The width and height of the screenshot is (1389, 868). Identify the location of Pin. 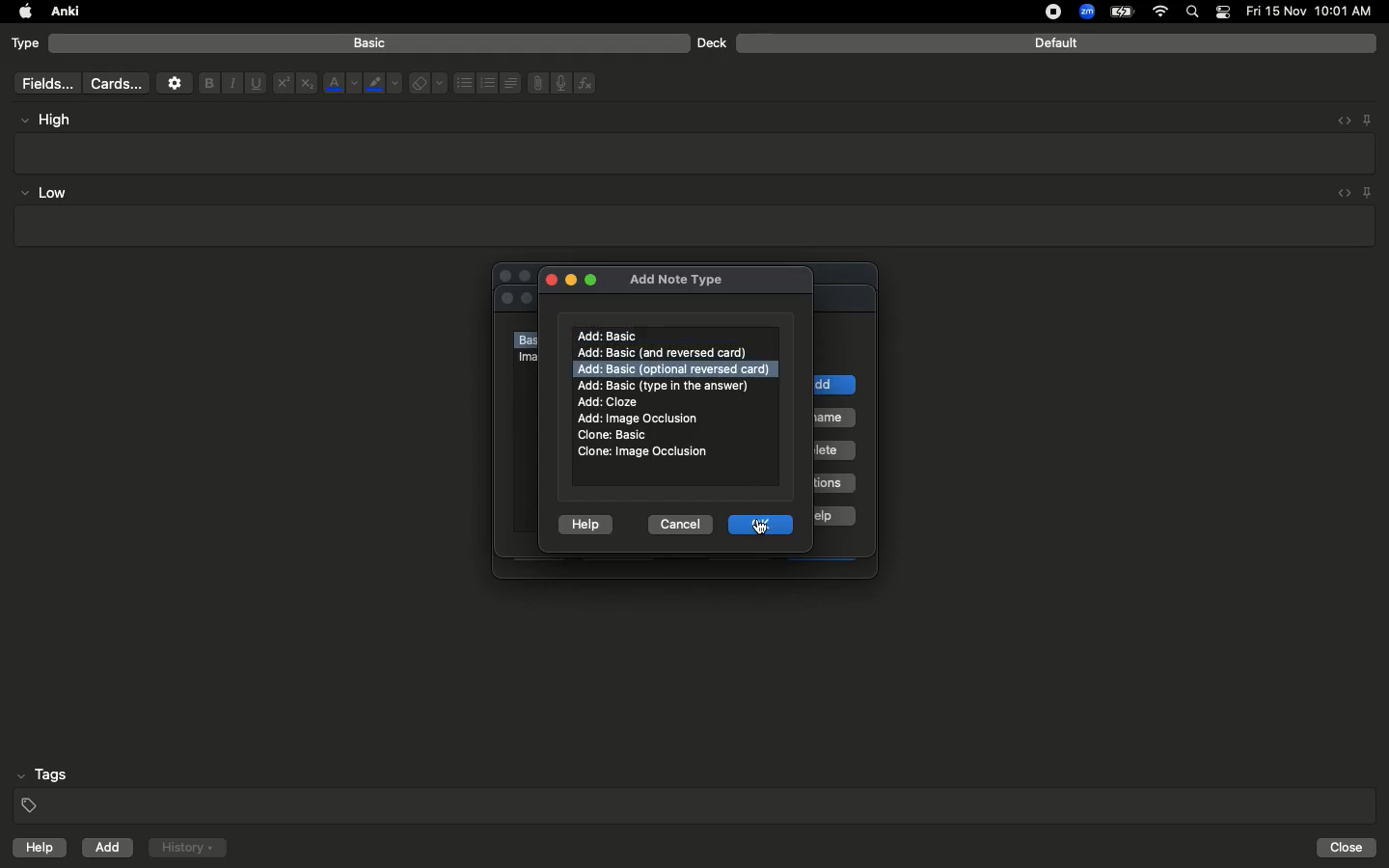
(1369, 192).